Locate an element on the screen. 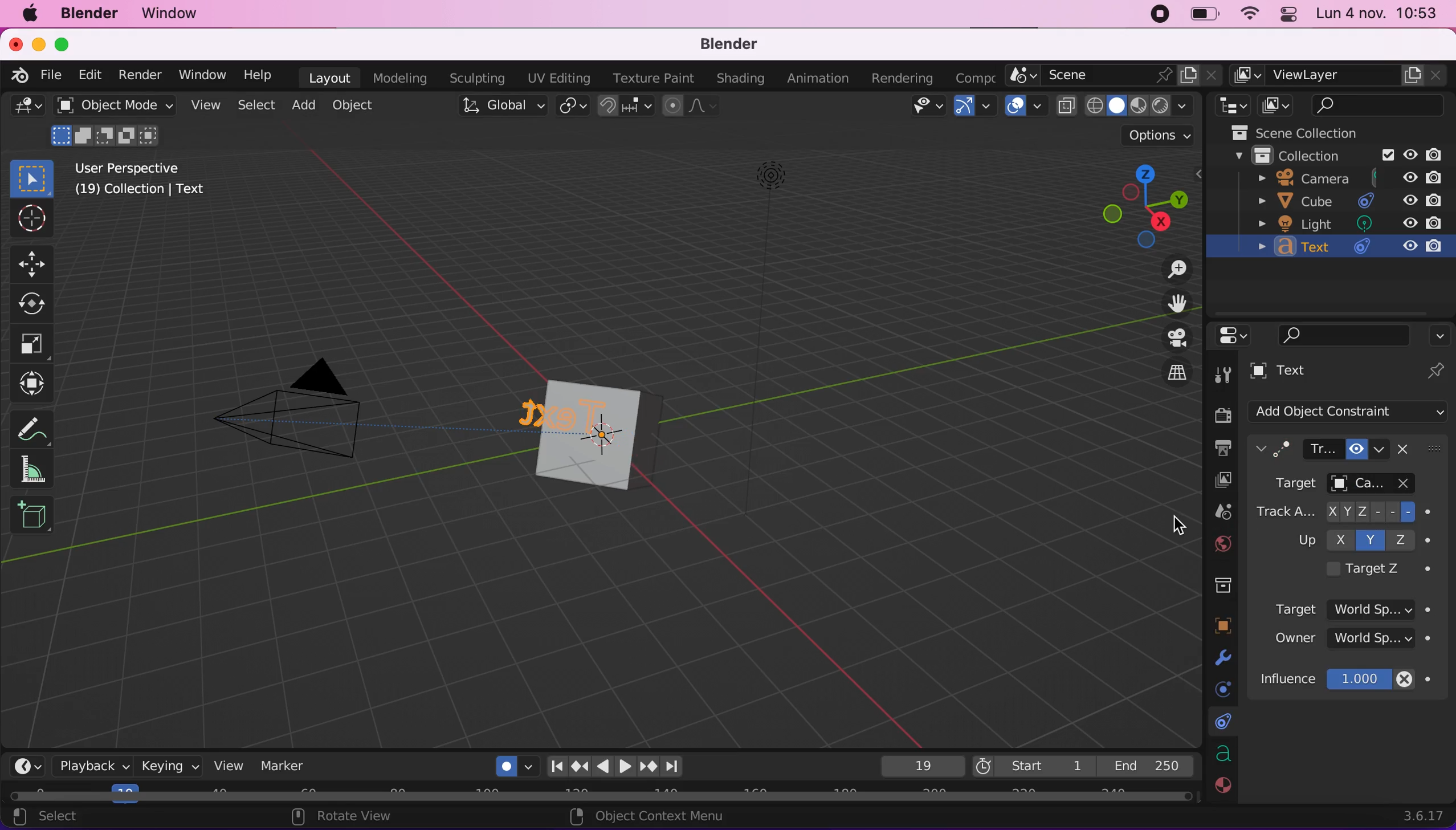  reproduction bar is located at coordinates (621, 766).